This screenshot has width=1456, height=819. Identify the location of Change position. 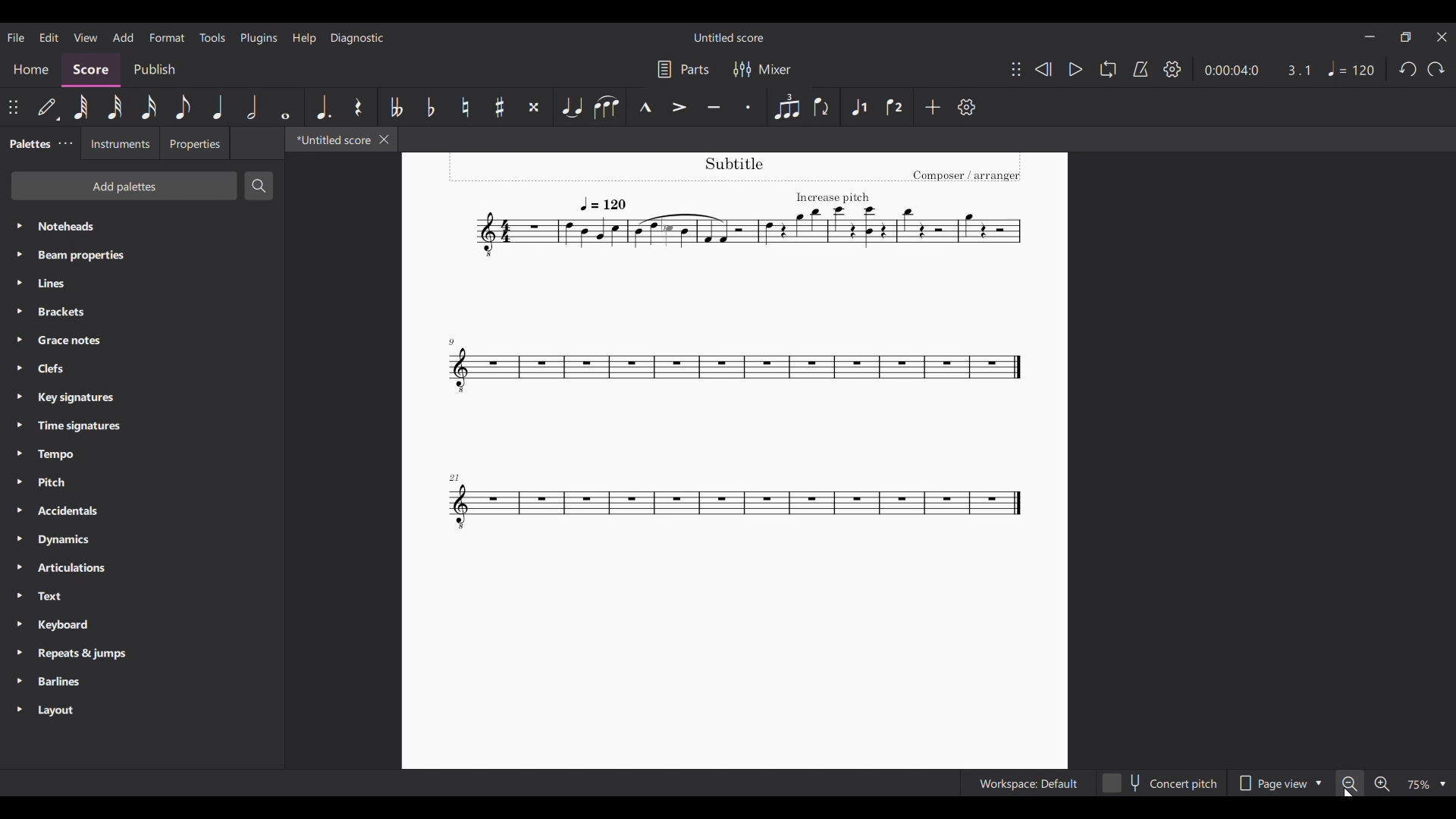
(1016, 69).